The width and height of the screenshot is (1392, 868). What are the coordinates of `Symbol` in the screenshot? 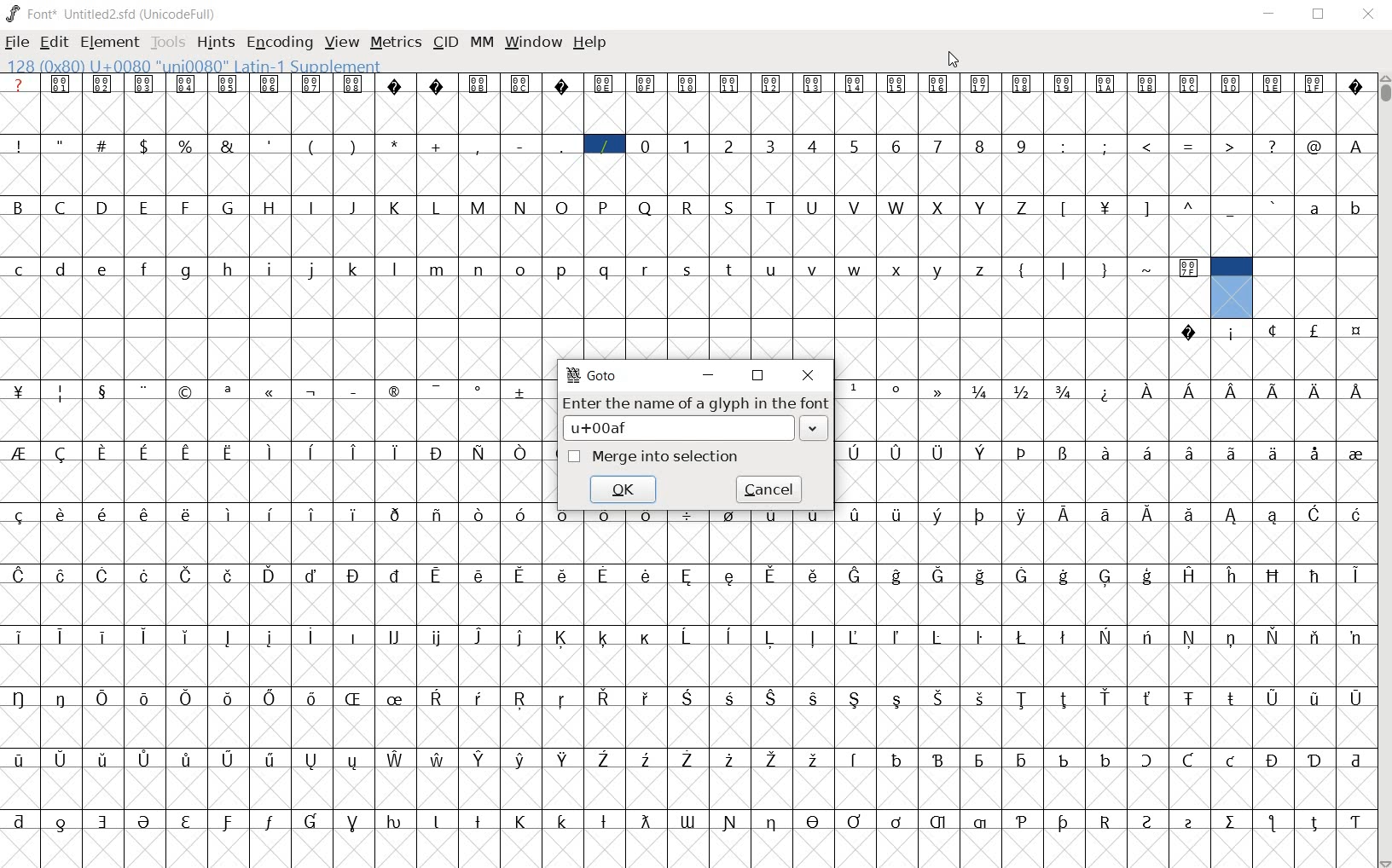 It's located at (1275, 637).